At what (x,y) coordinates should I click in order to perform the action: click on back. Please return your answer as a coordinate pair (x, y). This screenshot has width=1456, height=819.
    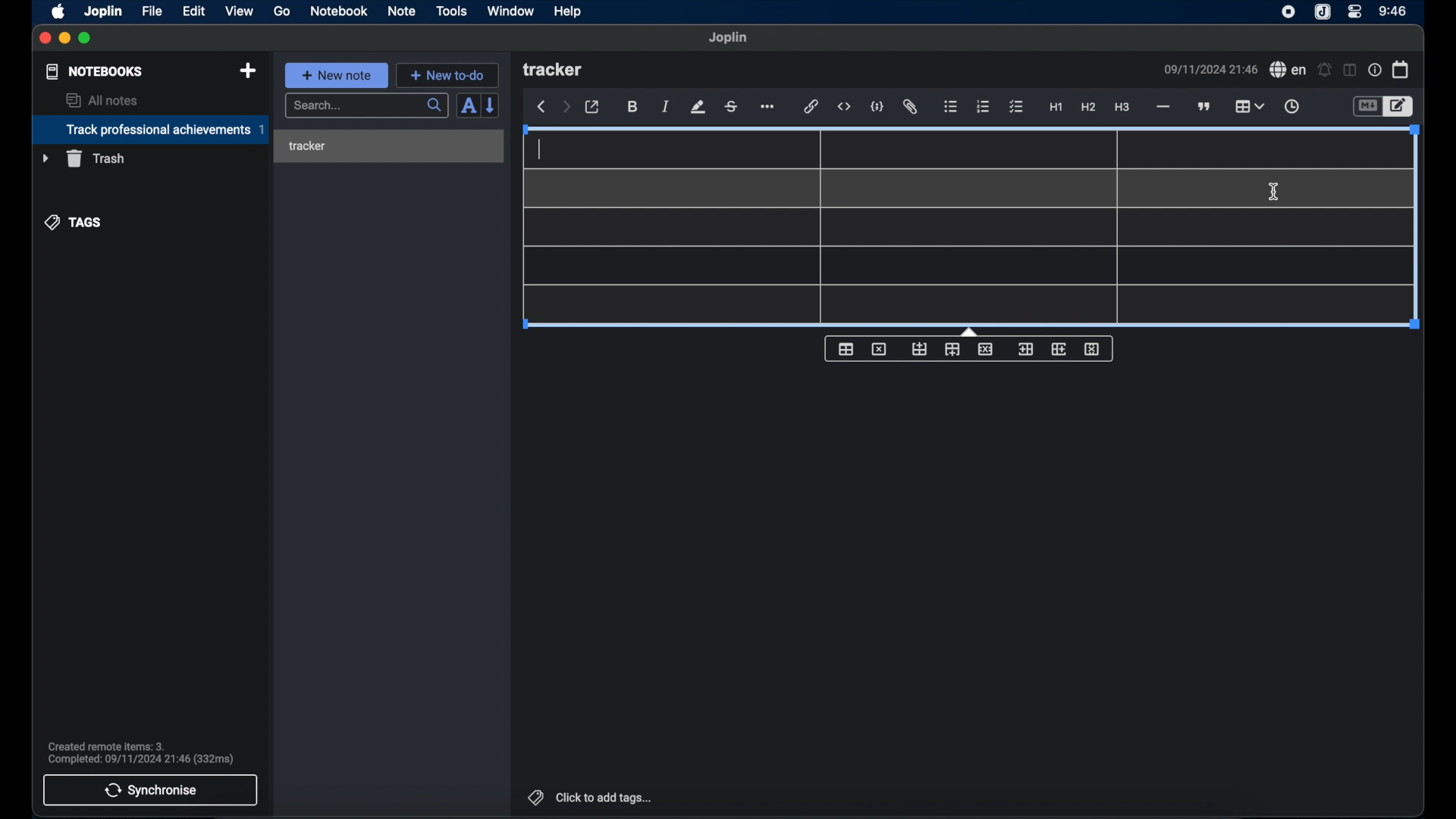
    Looking at the image, I should click on (541, 107).